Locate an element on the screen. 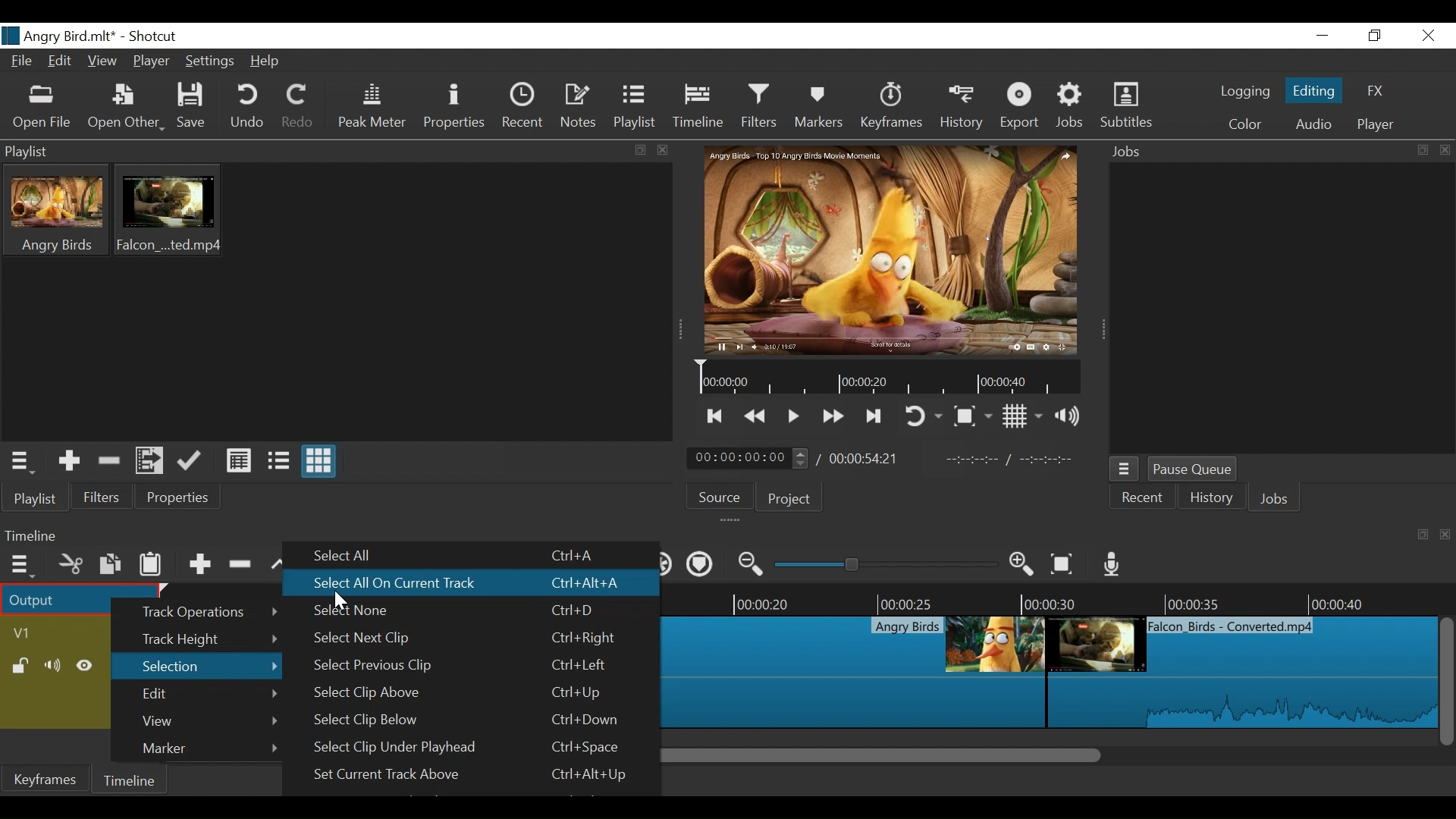 This screenshot has height=819, width=1456. Select All On Current Track is located at coordinates (484, 584).